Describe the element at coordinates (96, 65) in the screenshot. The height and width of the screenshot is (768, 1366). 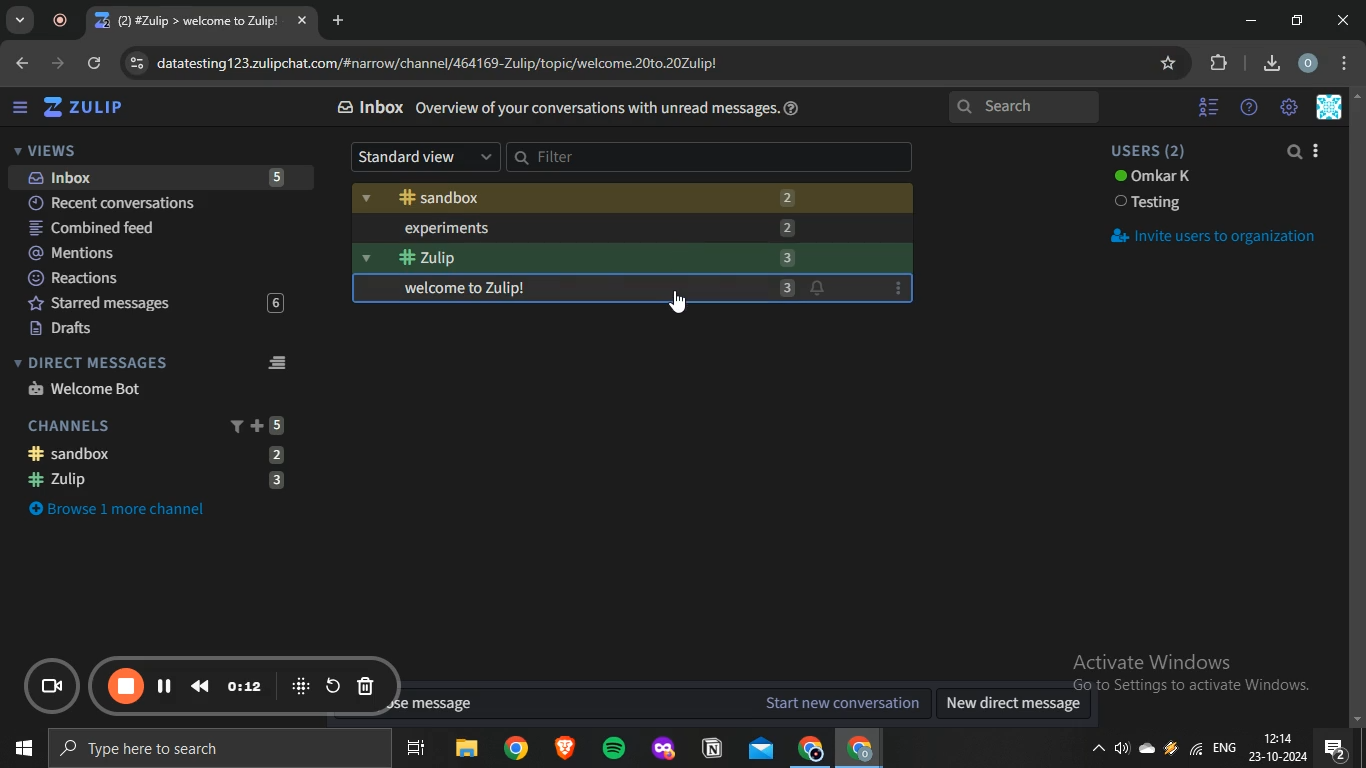
I see `reload` at that location.